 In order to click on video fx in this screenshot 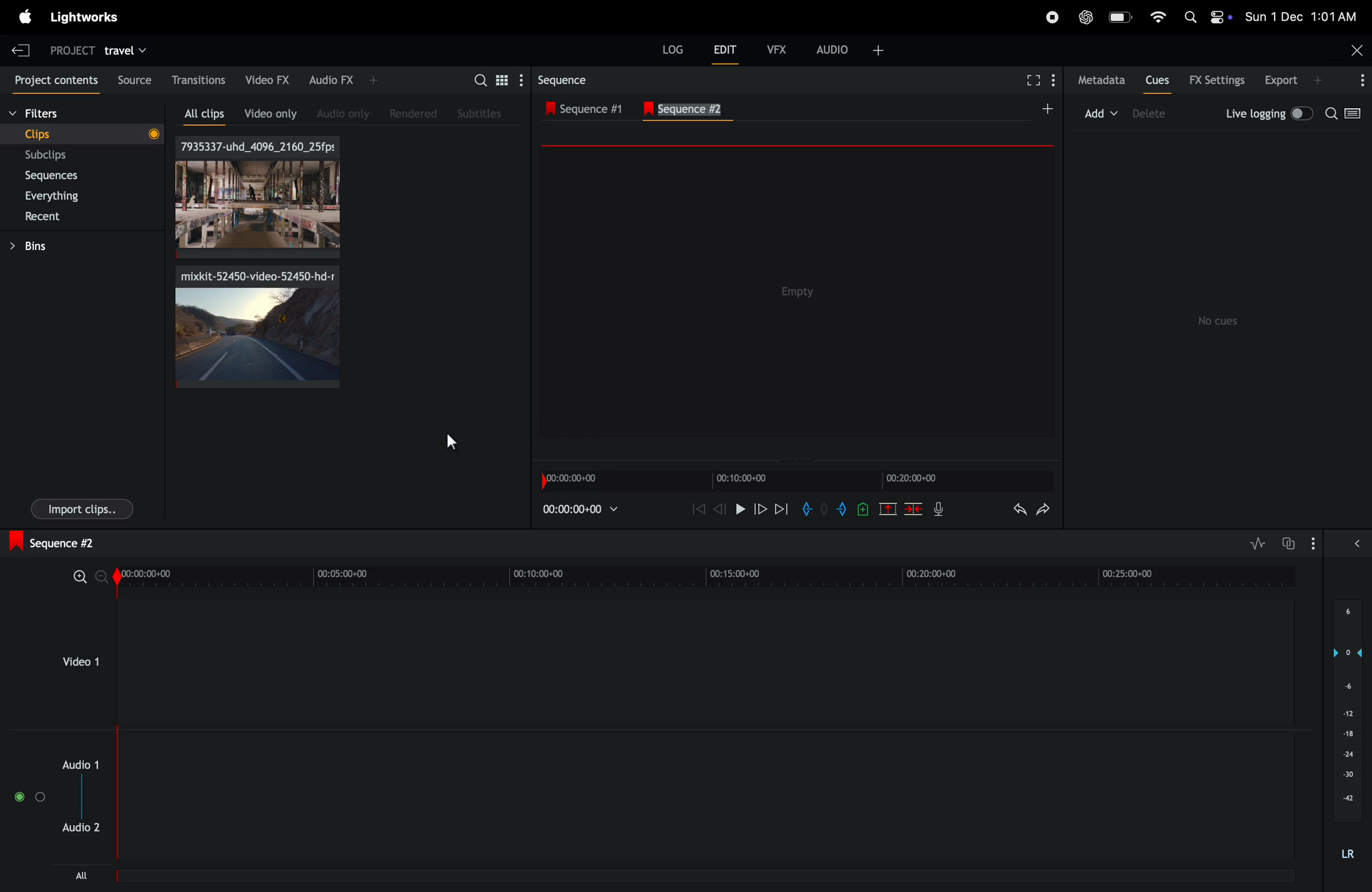, I will do `click(268, 78)`.